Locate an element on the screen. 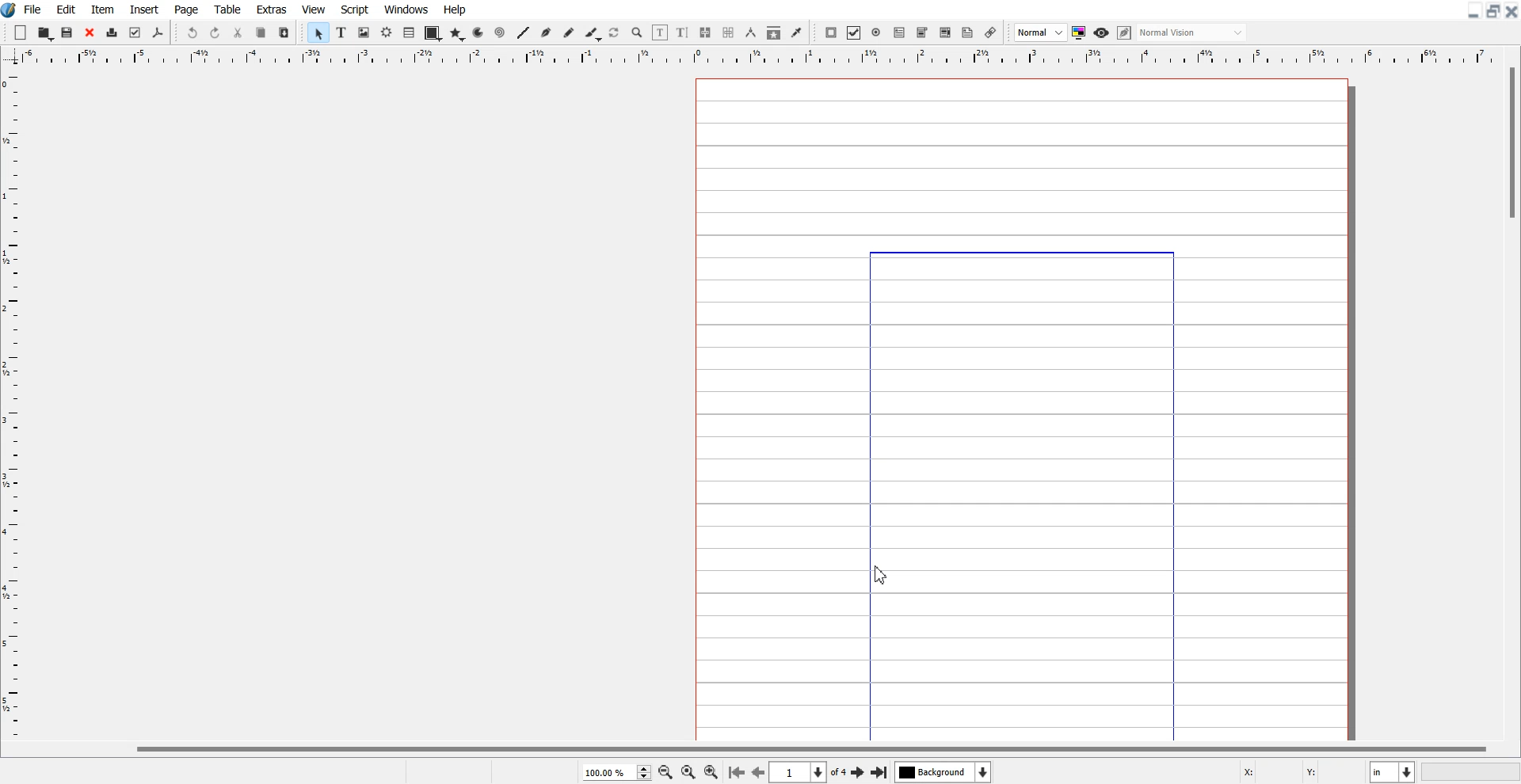 The height and width of the screenshot is (784, 1521). Cut is located at coordinates (238, 32).